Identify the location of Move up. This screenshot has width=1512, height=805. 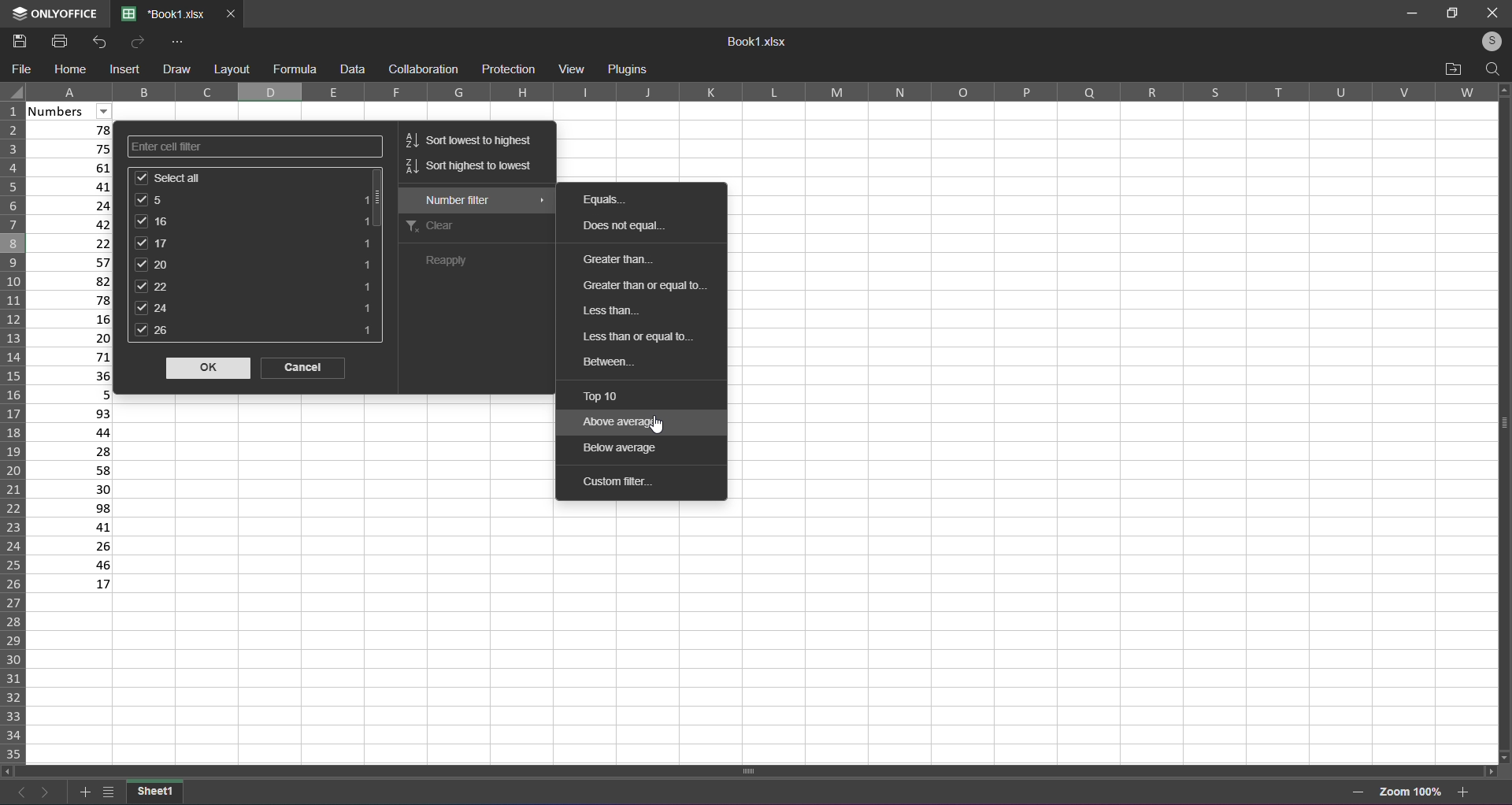
(1503, 90).